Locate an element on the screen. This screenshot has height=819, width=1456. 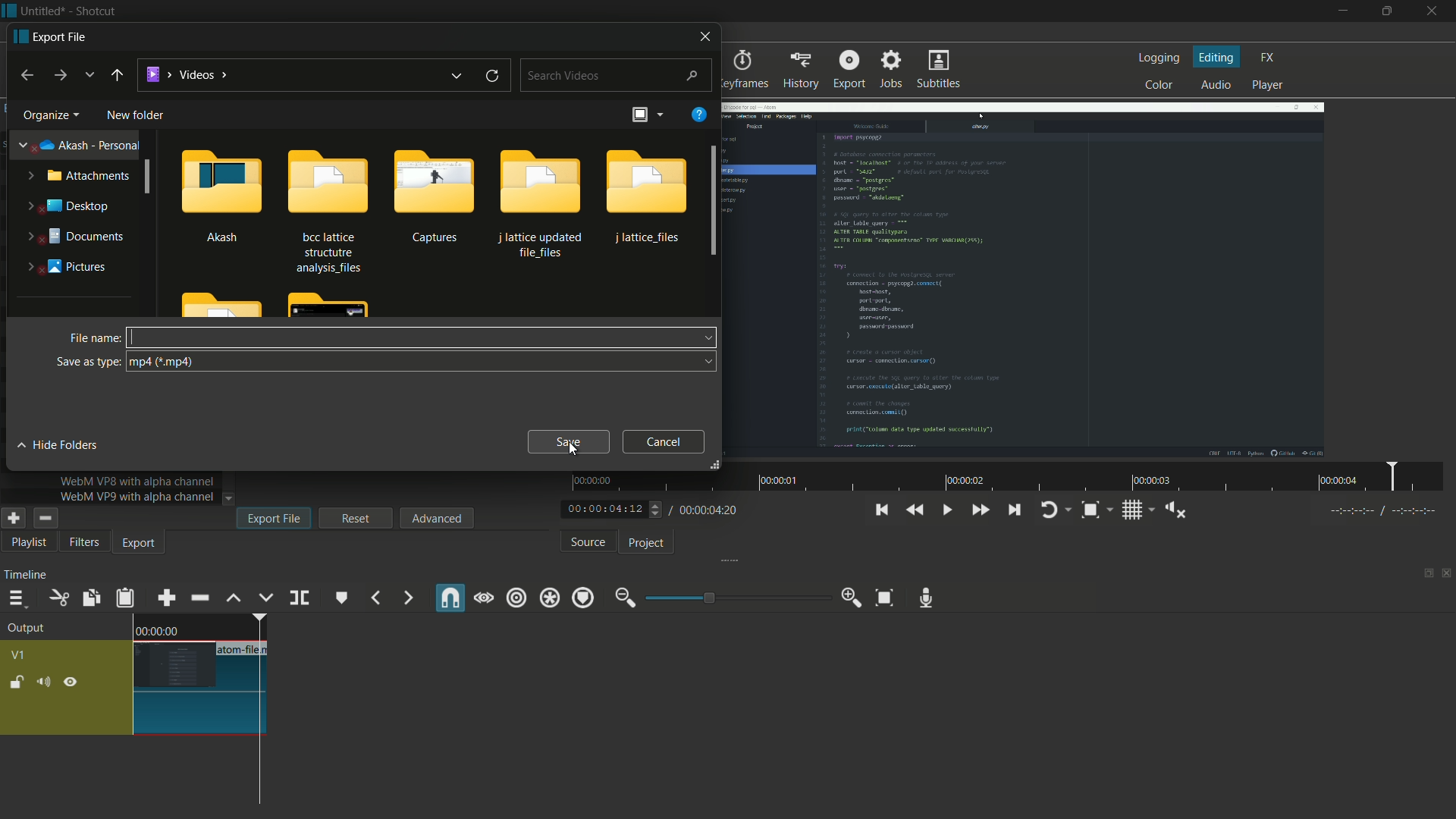
desktop is located at coordinates (69, 206).